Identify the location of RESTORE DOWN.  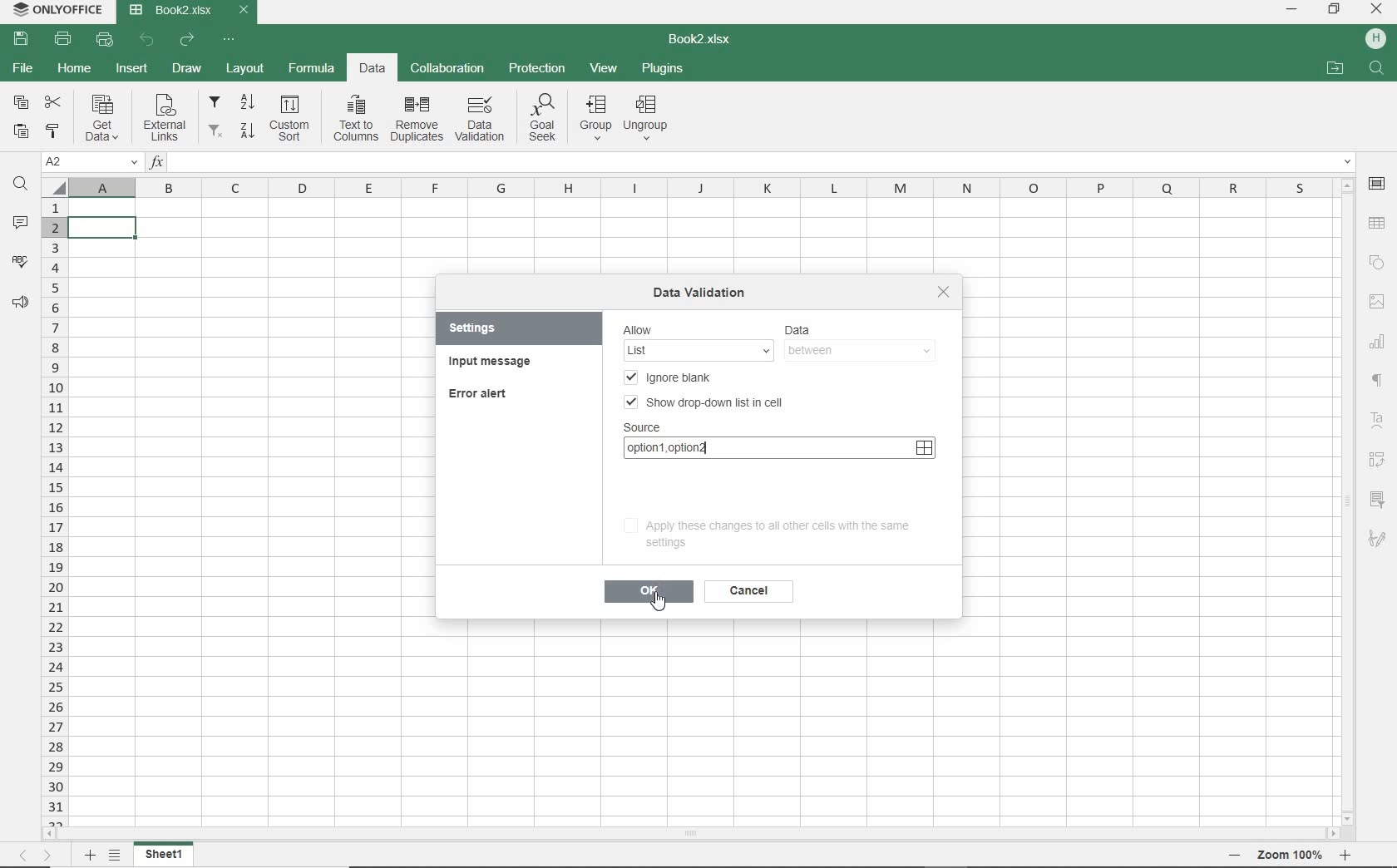
(1336, 11).